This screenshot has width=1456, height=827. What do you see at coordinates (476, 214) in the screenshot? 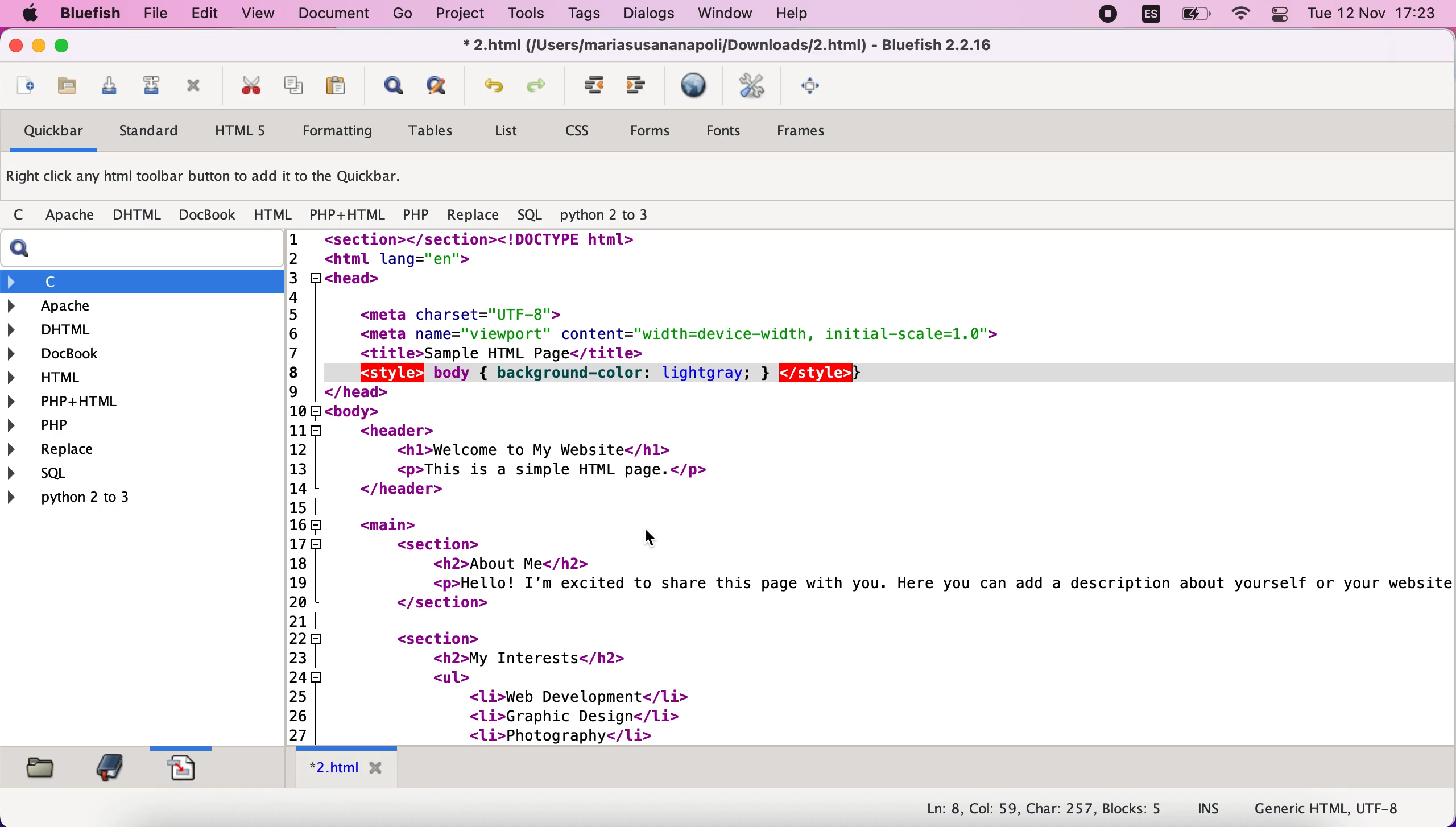
I see `replace` at bounding box center [476, 214].